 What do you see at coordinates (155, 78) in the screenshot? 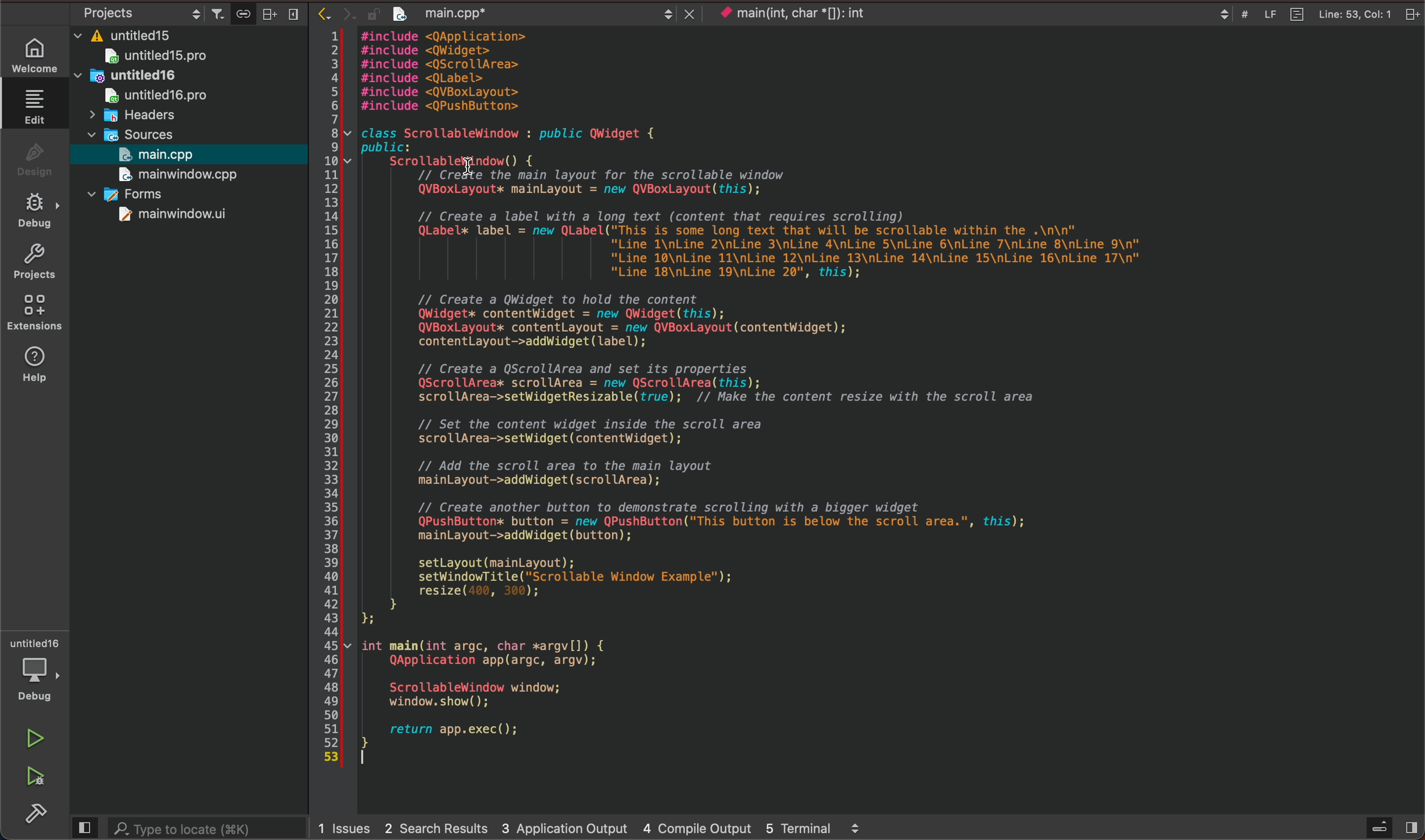
I see `untitled16` at bounding box center [155, 78].